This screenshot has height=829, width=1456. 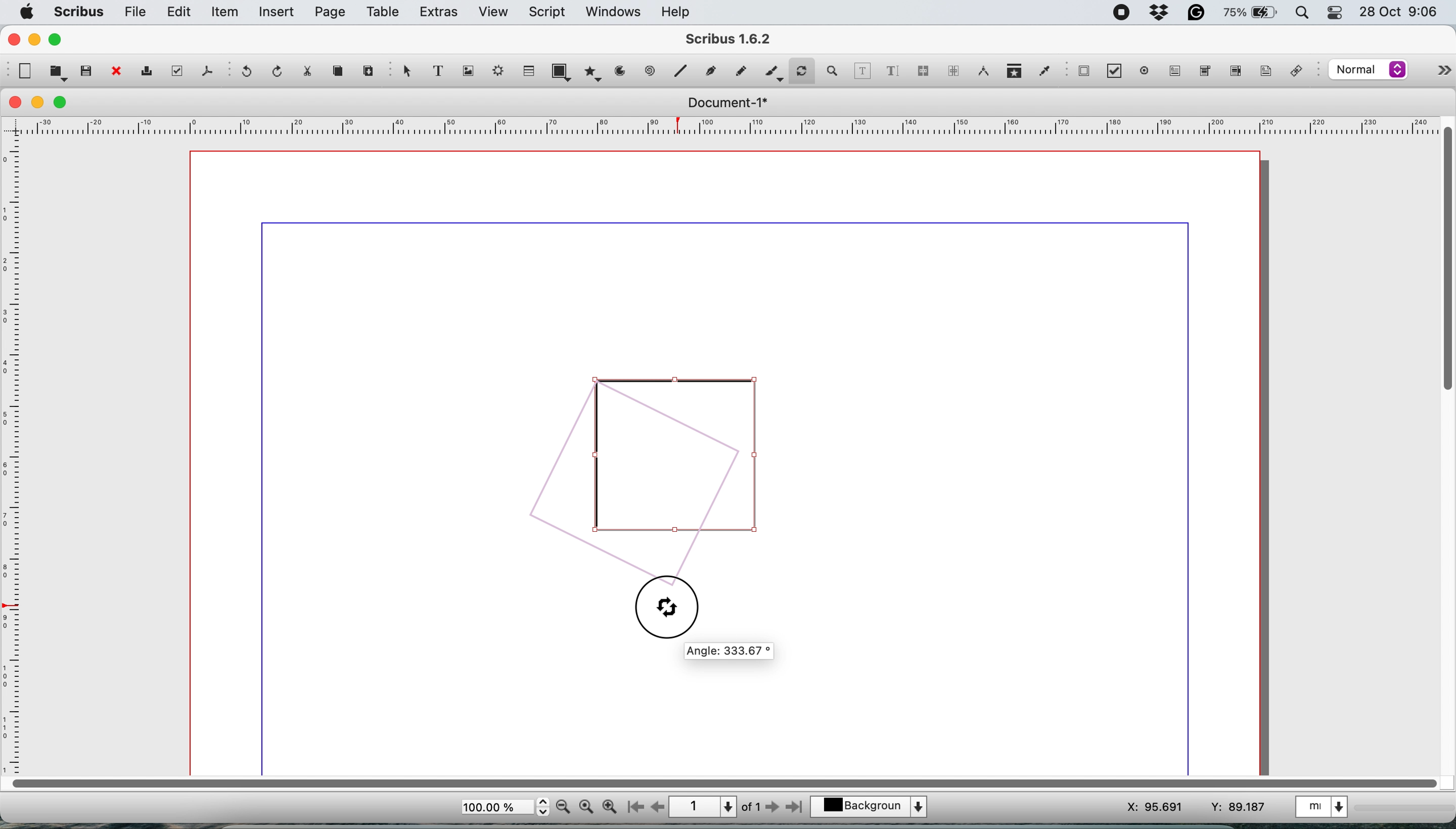 What do you see at coordinates (863, 71) in the screenshot?
I see `edit contents of frame` at bounding box center [863, 71].